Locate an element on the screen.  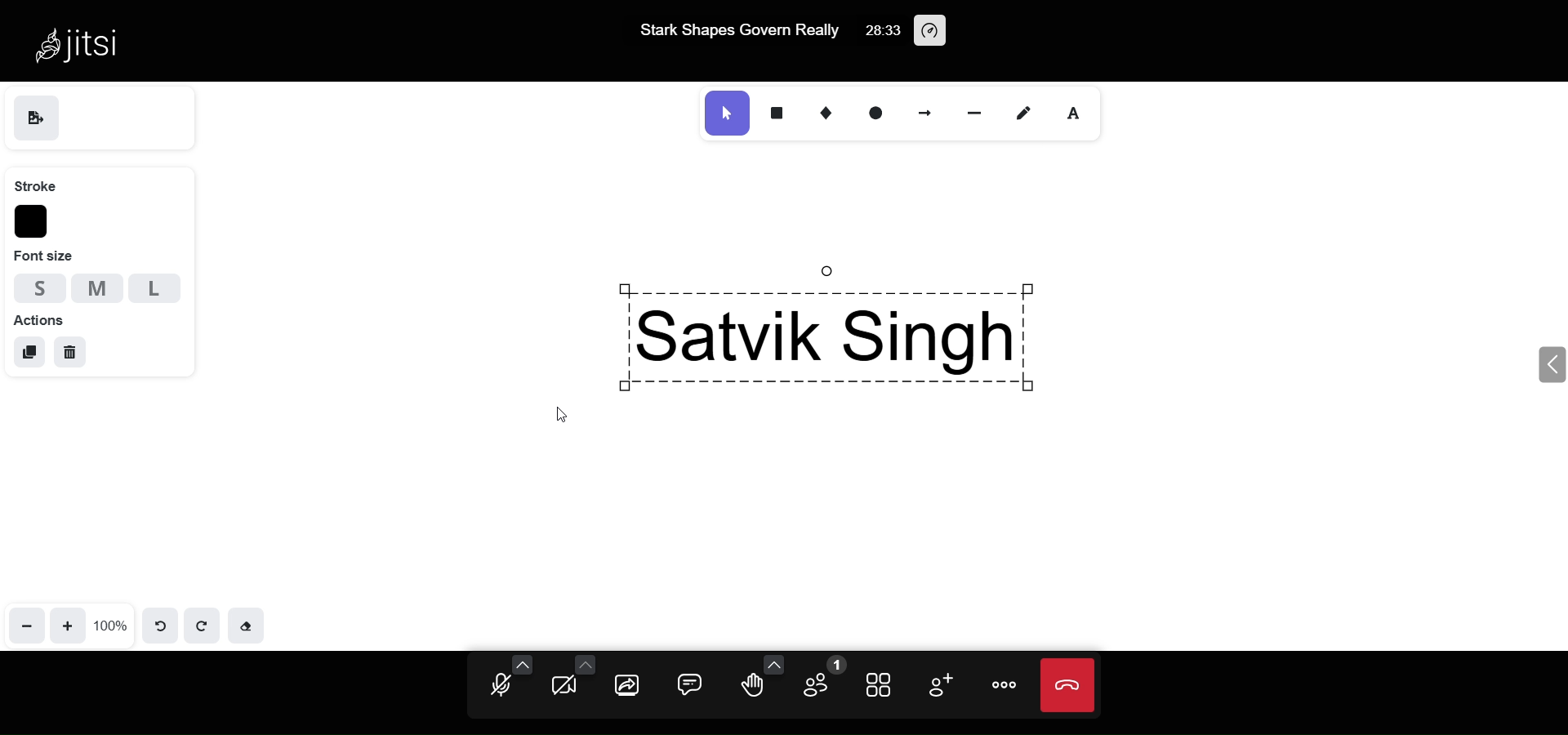
undo is located at coordinates (162, 625).